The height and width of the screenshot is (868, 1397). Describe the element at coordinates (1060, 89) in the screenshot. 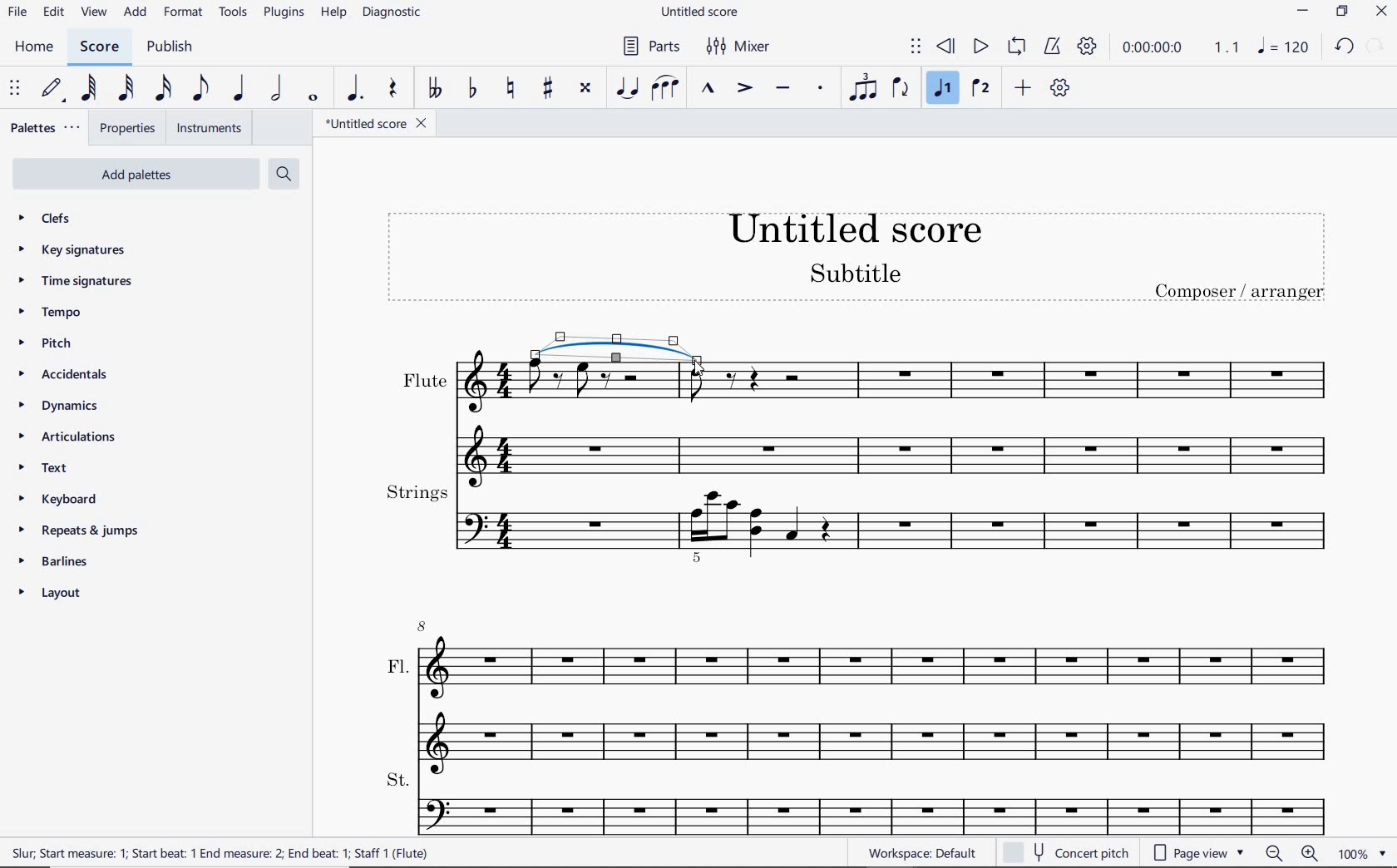

I see `CUSTOMIZE TOOLBAR` at that location.